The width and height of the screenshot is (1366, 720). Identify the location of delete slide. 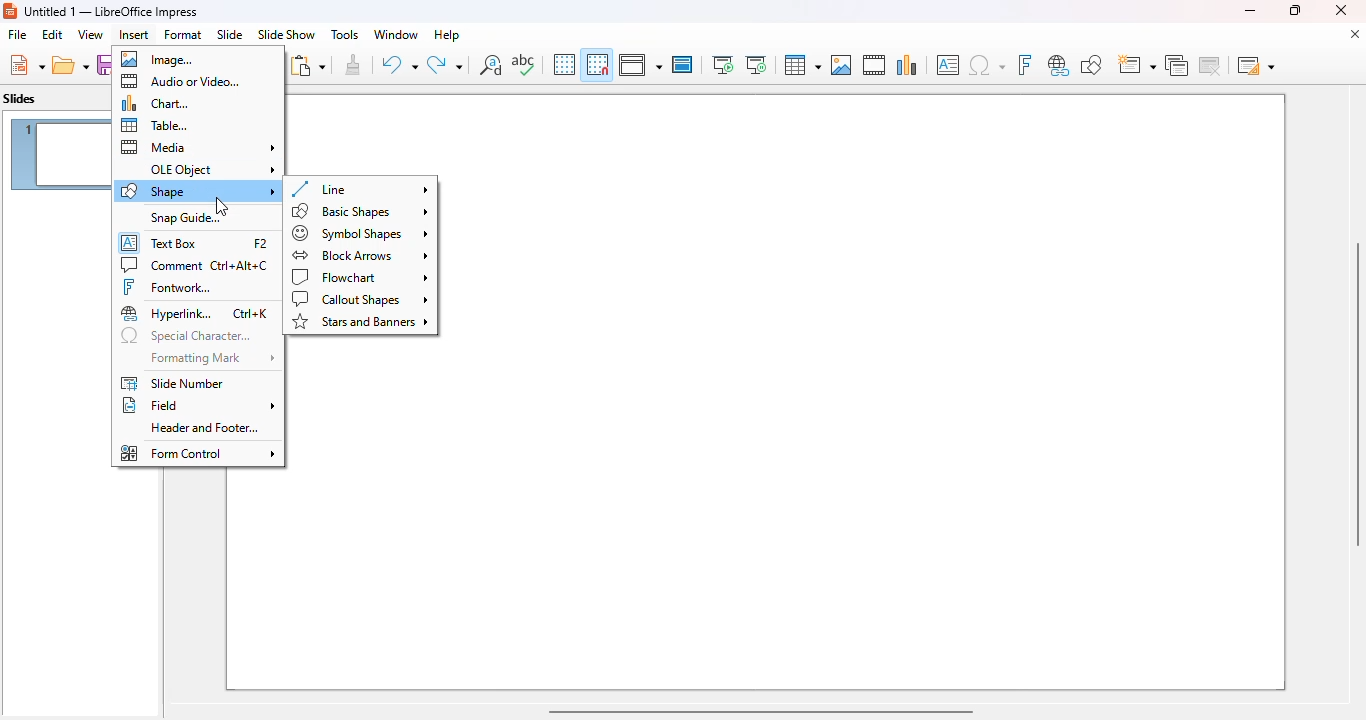
(1213, 65).